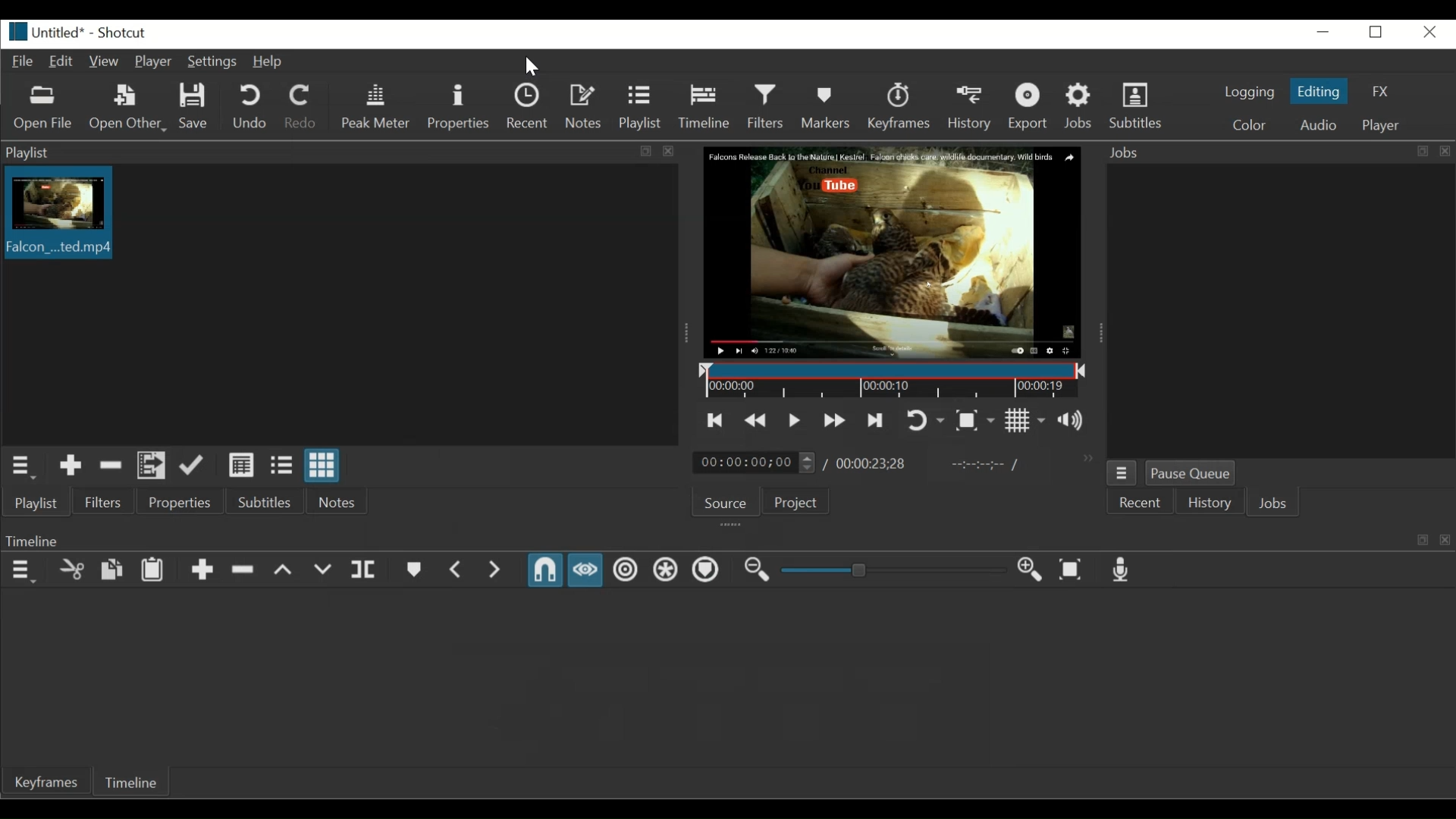 This screenshot has width=1456, height=819. Describe the element at coordinates (868, 463) in the screenshot. I see `:00:00:23:28(Total Duration)` at that location.